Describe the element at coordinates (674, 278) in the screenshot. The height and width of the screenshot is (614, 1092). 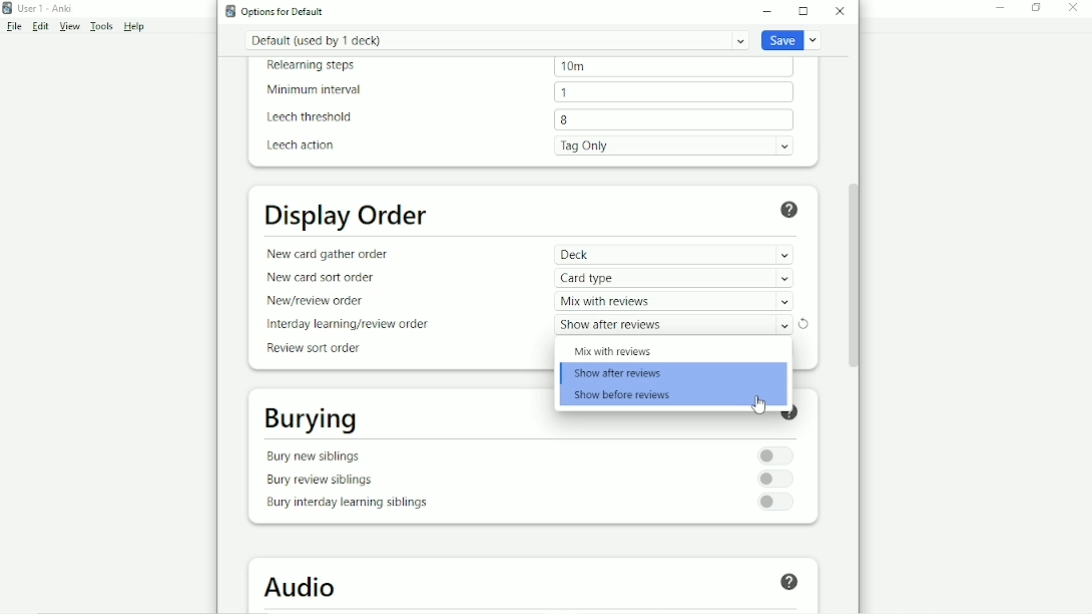
I see `Card type` at that location.